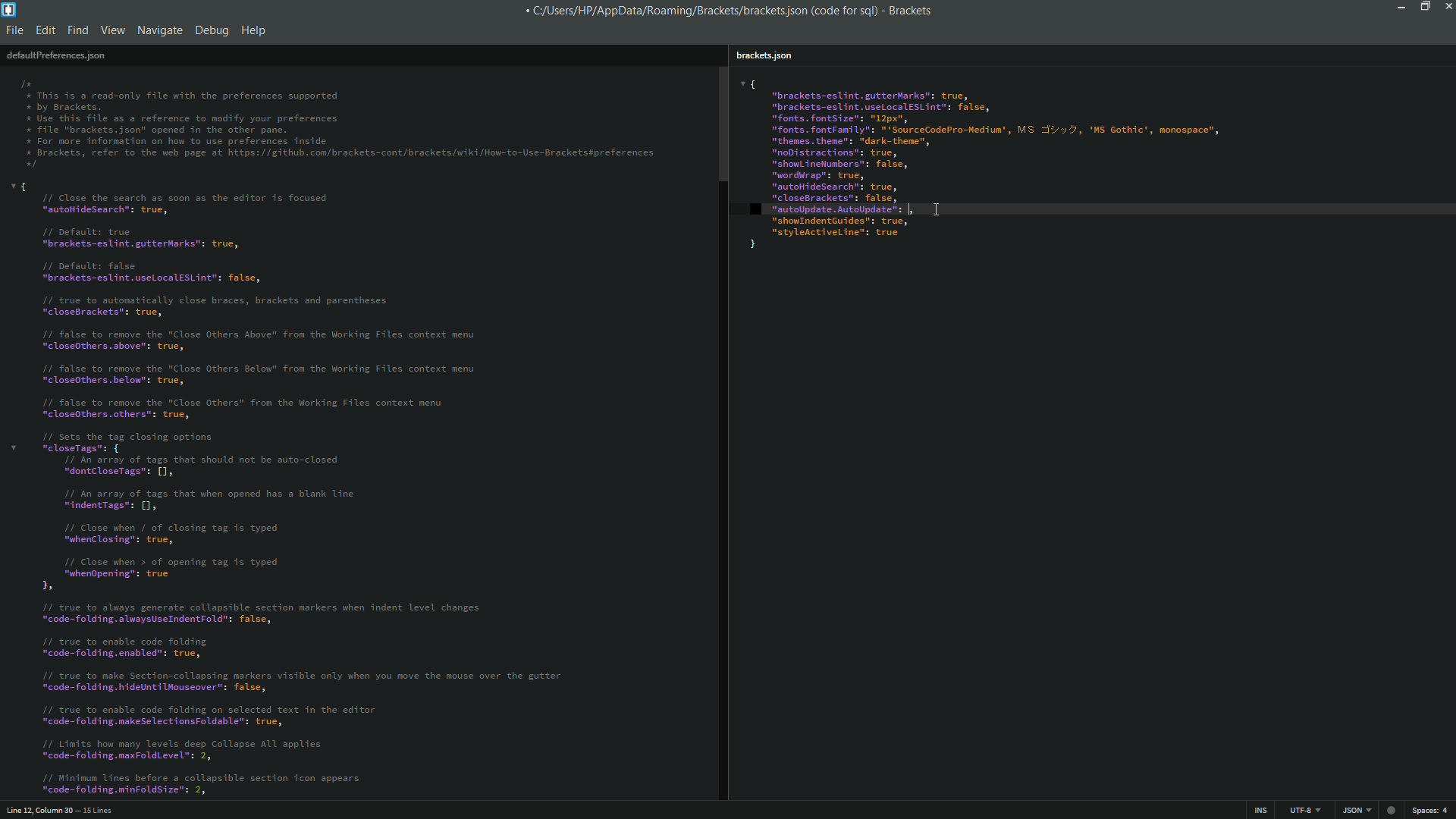 Image resolution: width=1456 pixels, height=819 pixels. I want to click on close, so click(1446, 9).